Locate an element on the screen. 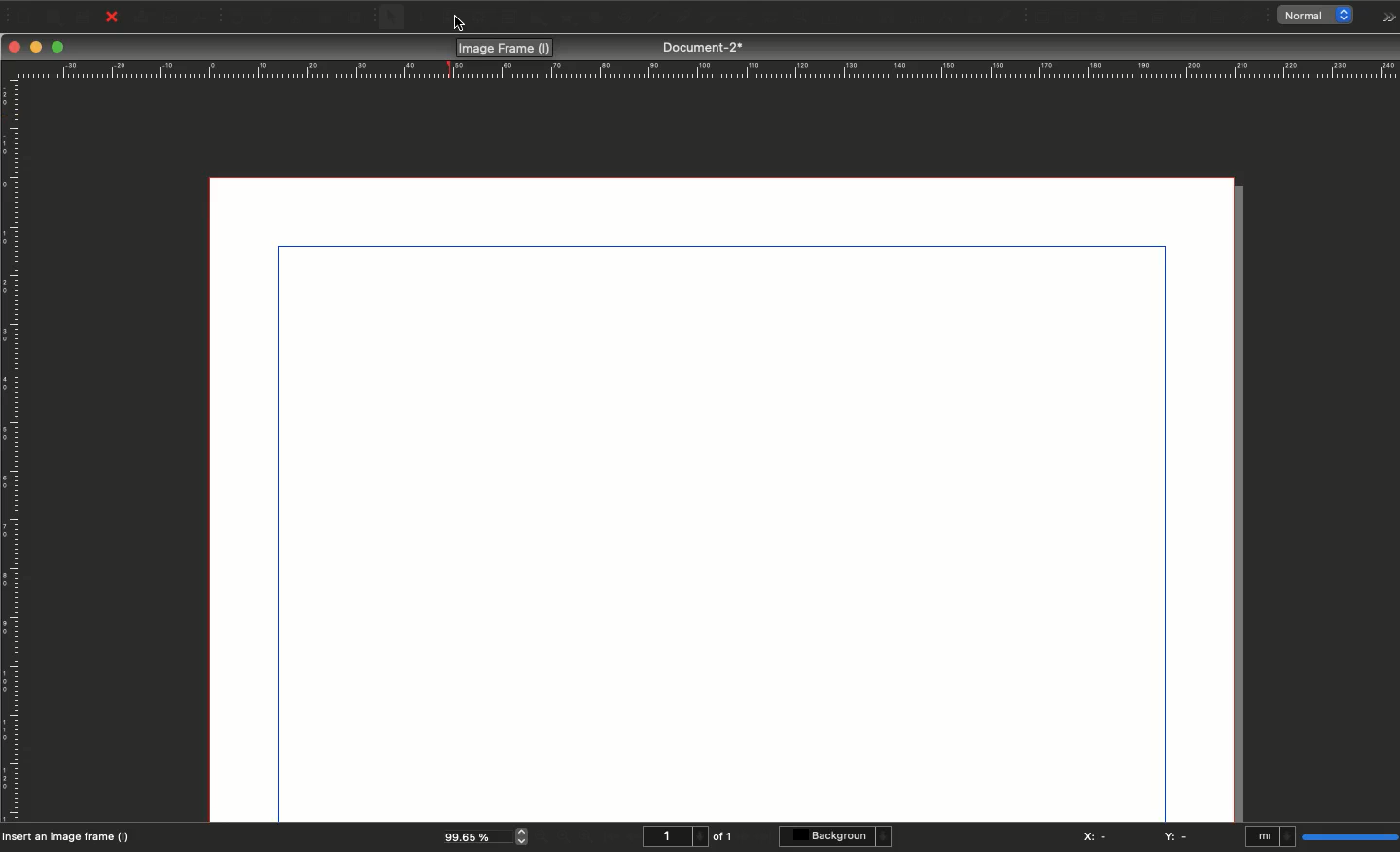  Print is located at coordinates (142, 18).